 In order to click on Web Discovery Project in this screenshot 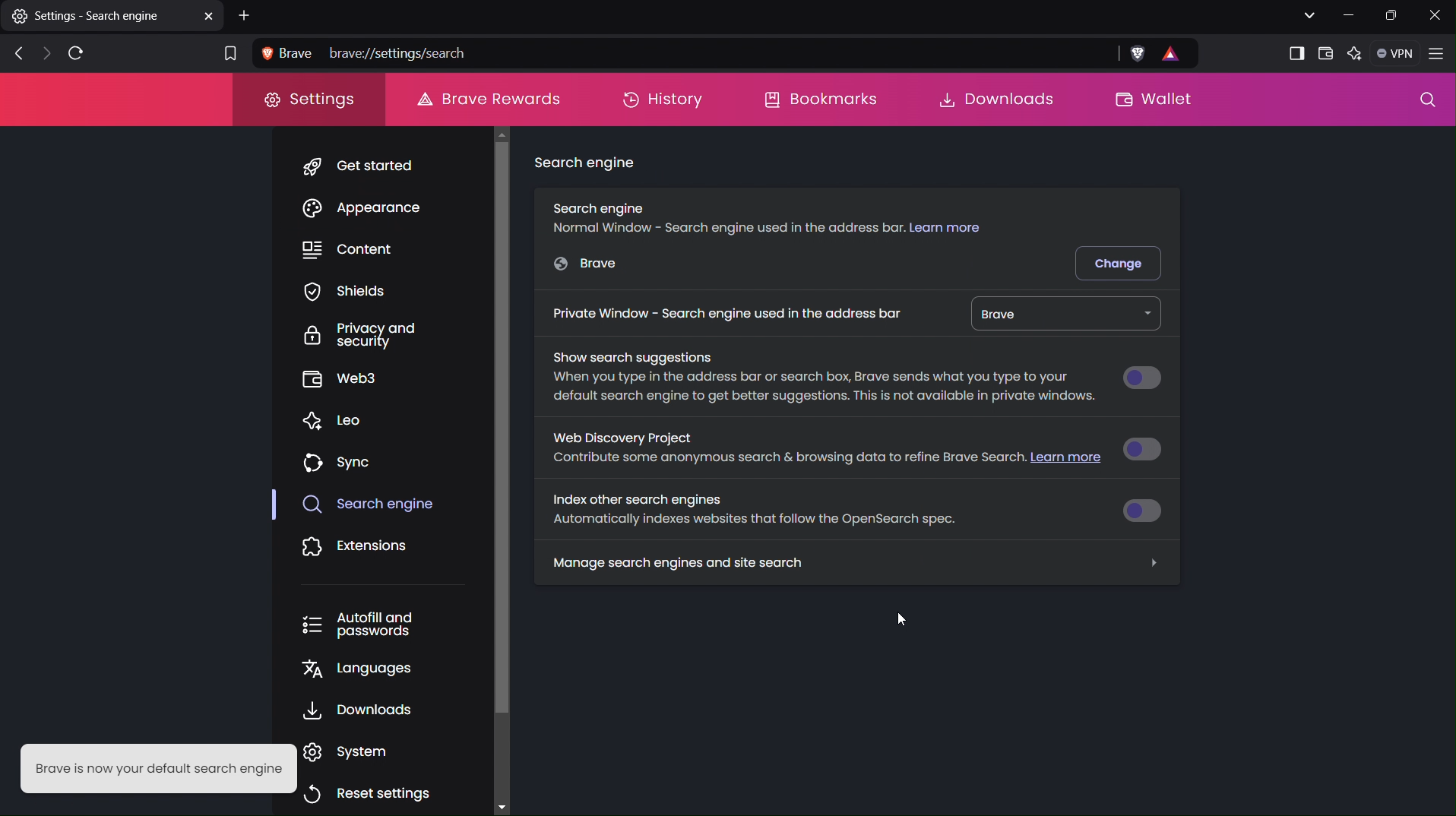, I will do `click(821, 451)`.